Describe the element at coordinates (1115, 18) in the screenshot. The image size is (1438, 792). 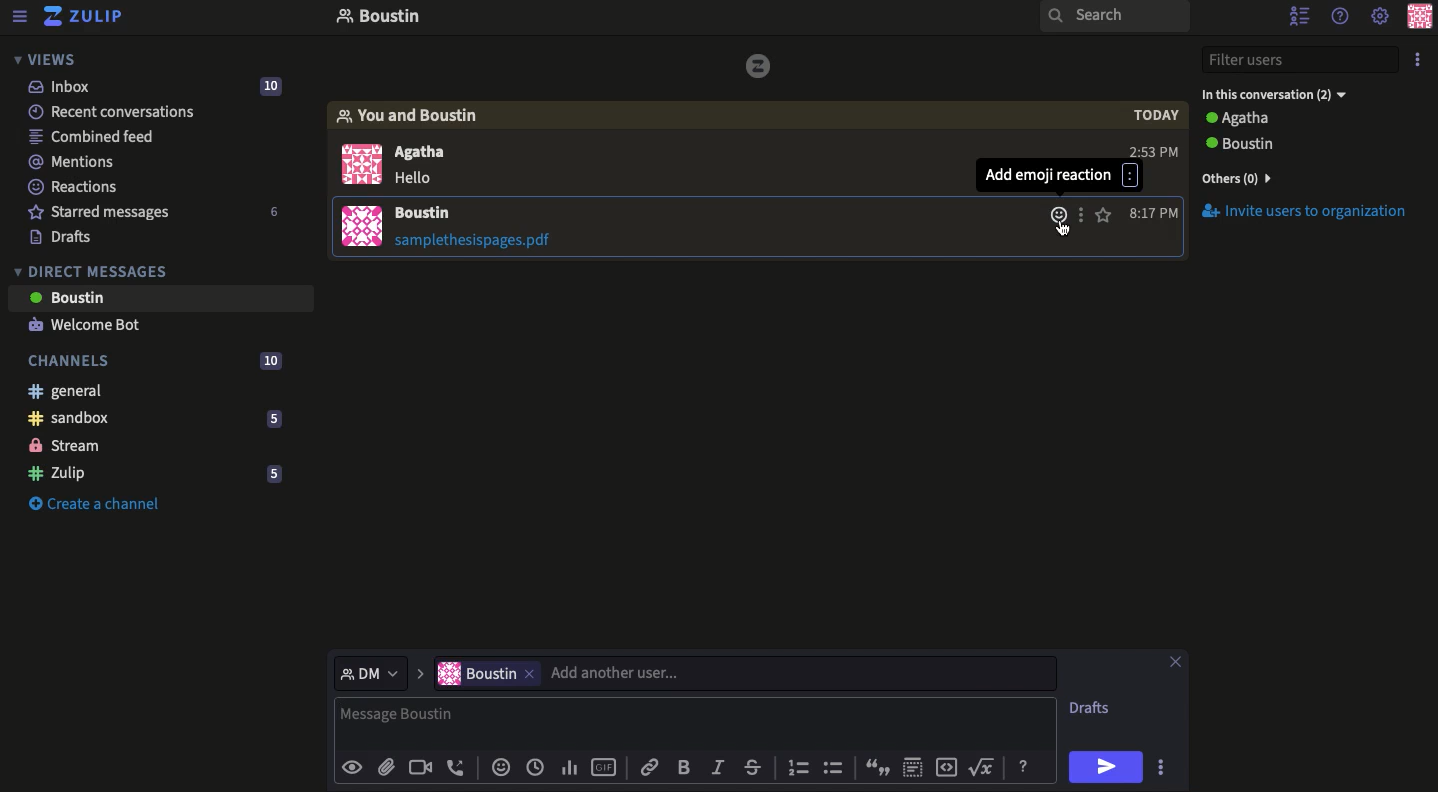
I see `Search` at that location.